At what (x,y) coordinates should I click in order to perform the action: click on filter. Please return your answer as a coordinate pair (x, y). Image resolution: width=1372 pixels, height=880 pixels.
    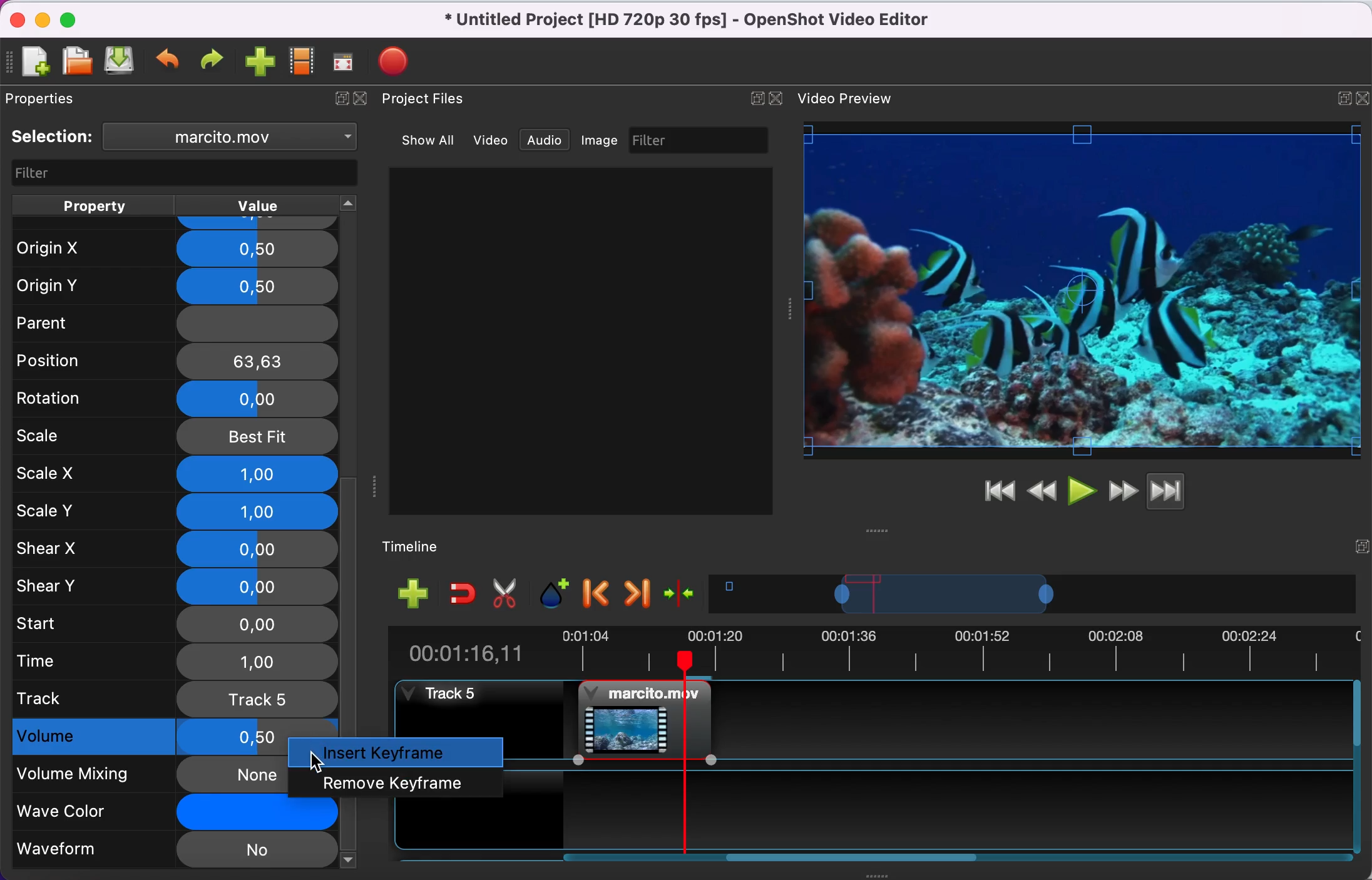
    Looking at the image, I should click on (179, 172).